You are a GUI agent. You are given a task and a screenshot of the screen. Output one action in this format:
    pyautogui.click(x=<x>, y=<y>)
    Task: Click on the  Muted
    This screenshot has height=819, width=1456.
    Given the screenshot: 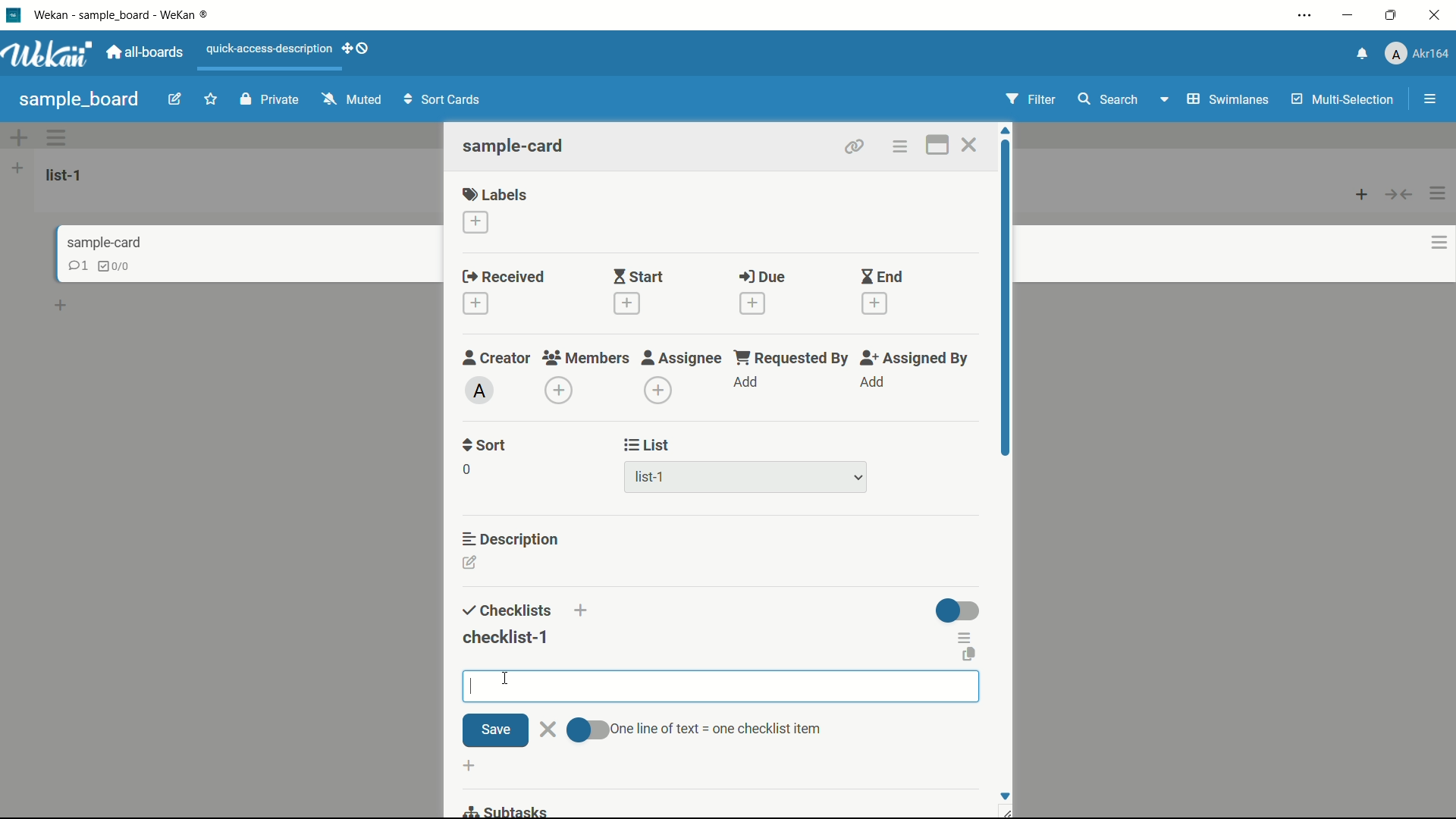 What is the action you would take?
    pyautogui.click(x=353, y=99)
    